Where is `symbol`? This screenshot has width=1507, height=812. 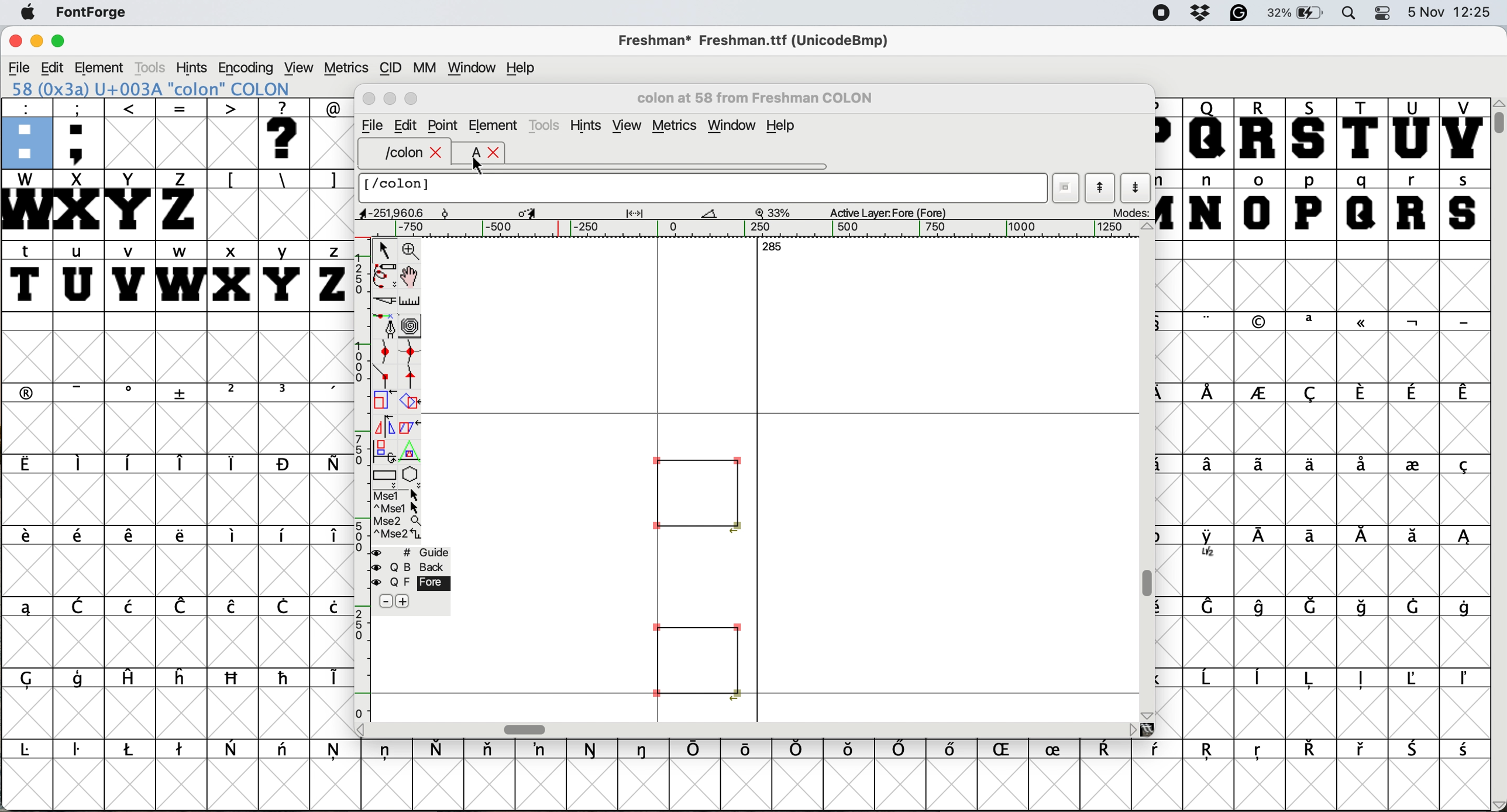 symbol is located at coordinates (284, 393).